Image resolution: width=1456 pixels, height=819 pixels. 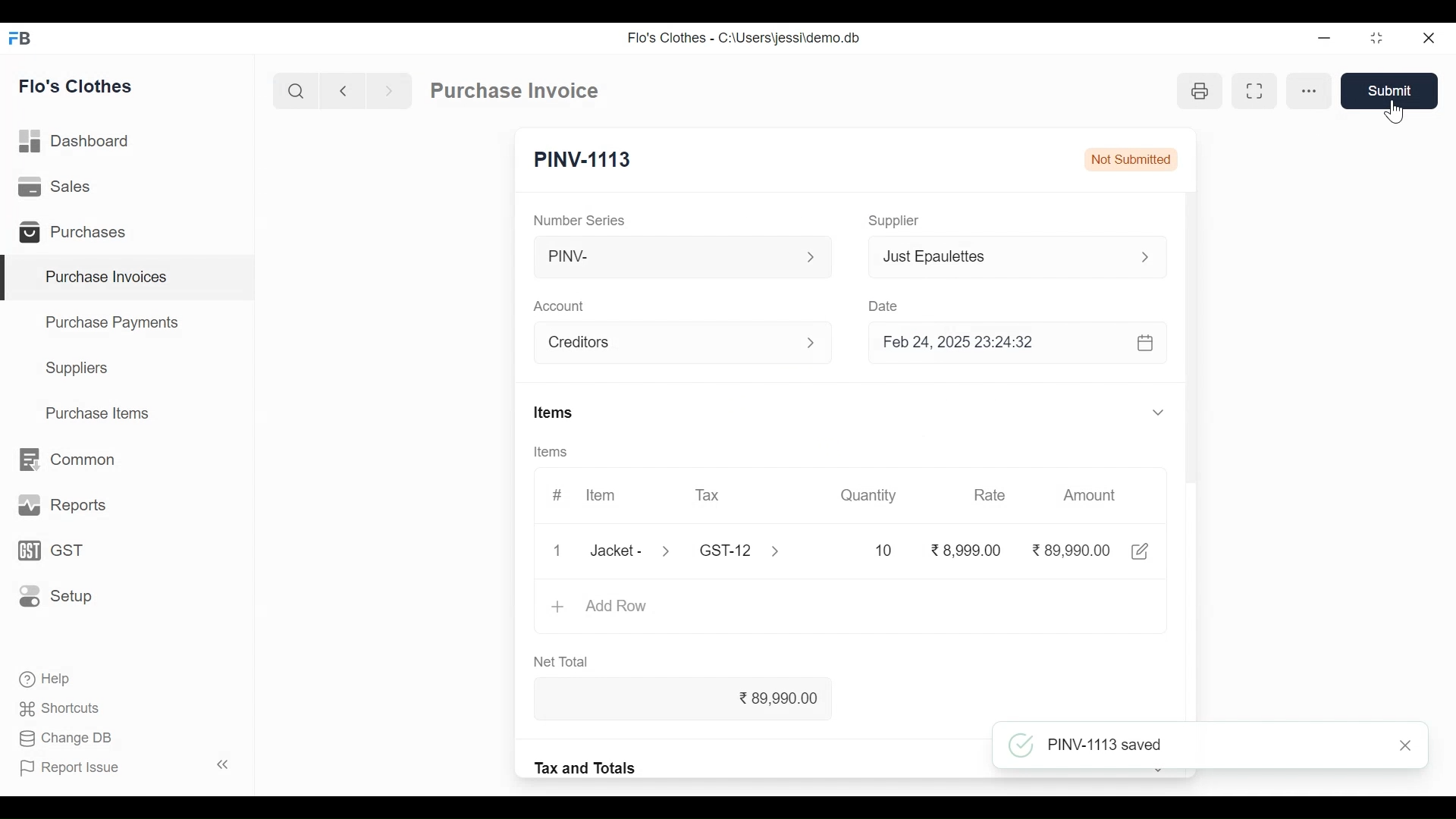 What do you see at coordinates (620, 607) in the screenshot?
I see `Add Row` at bounding box center [620, 607].